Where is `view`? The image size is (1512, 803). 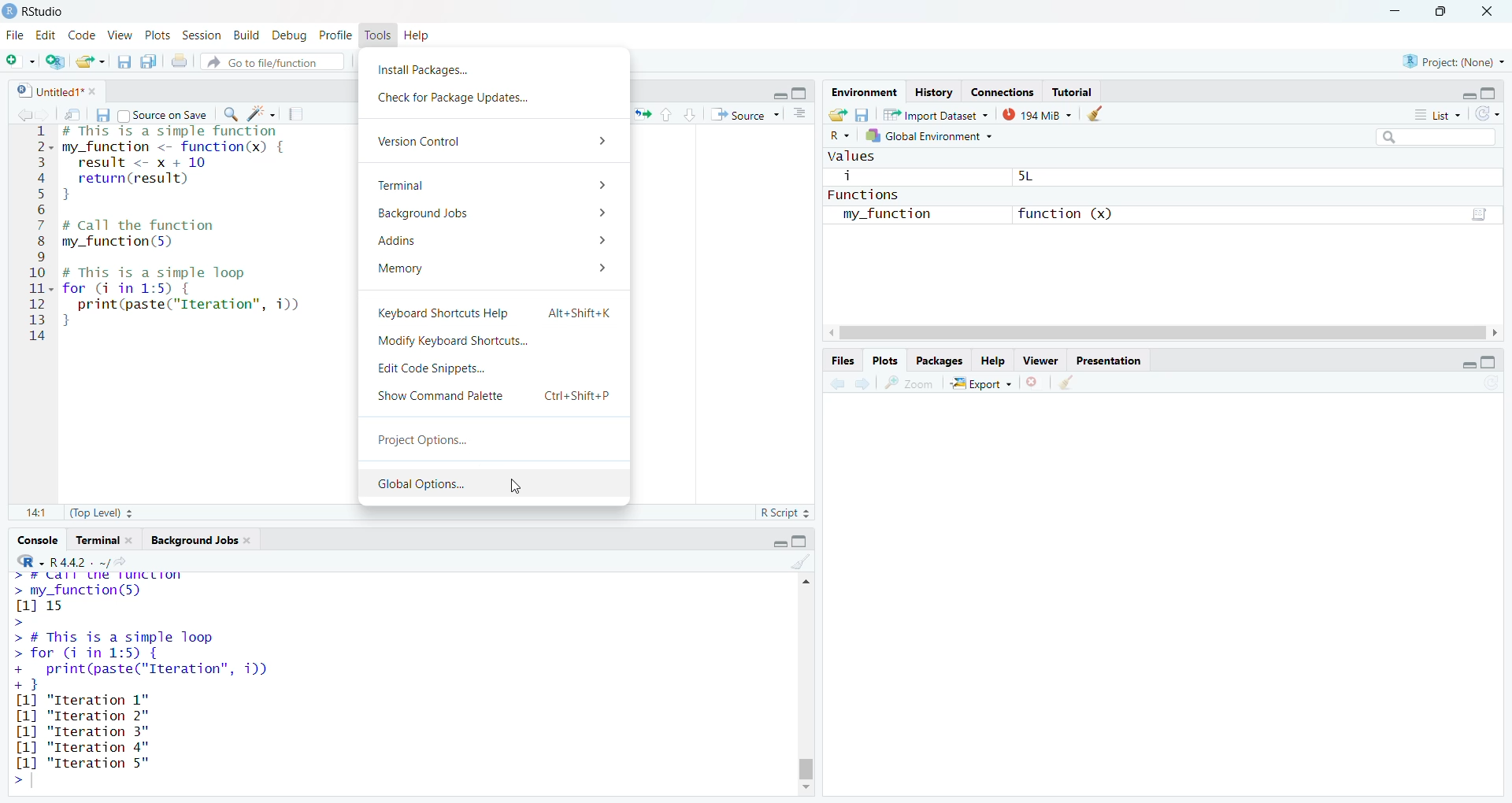 view is located at coordinates (120, 35).